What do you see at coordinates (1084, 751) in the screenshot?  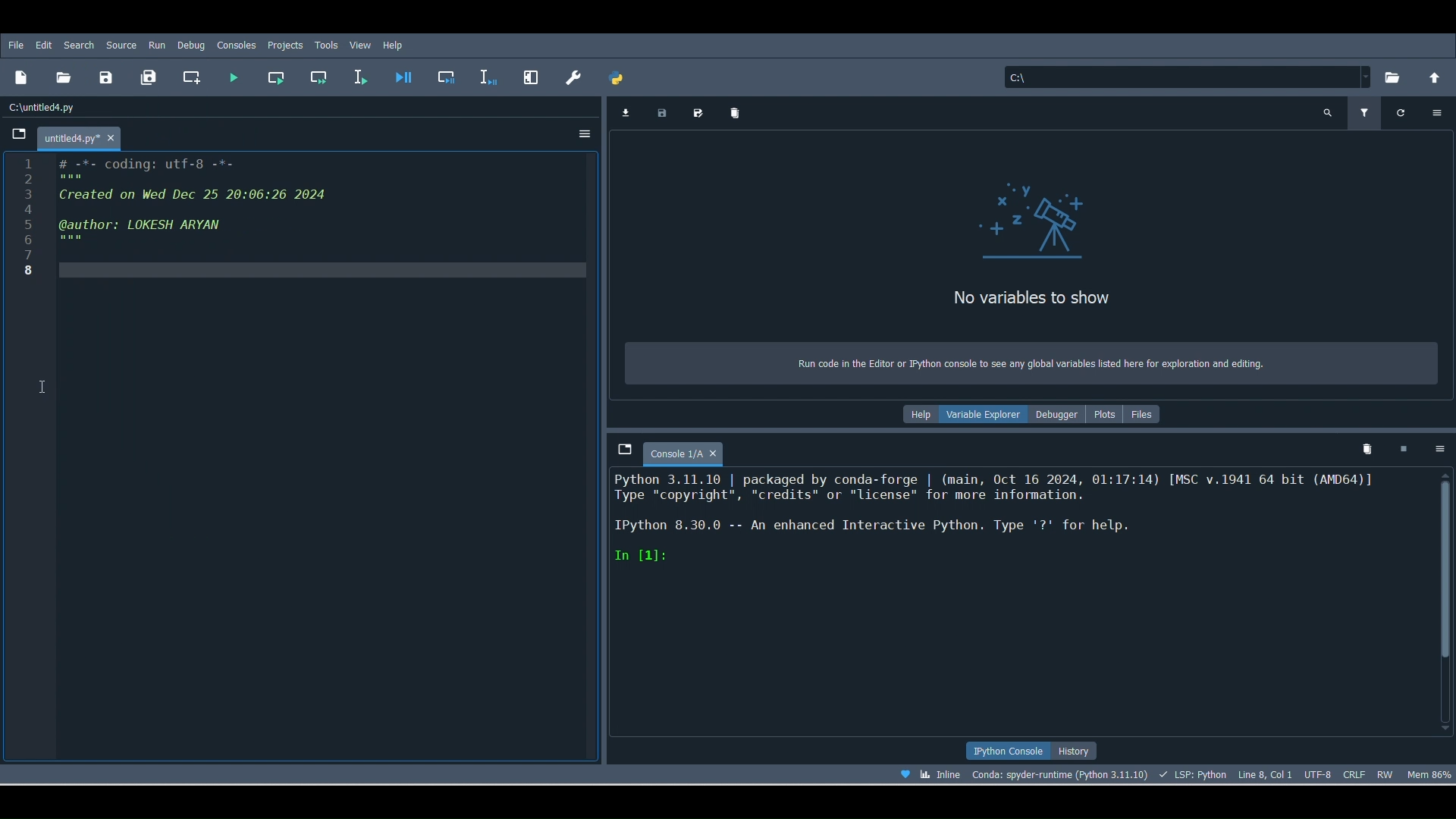 I see `History` at bounding box center [1084, 751].